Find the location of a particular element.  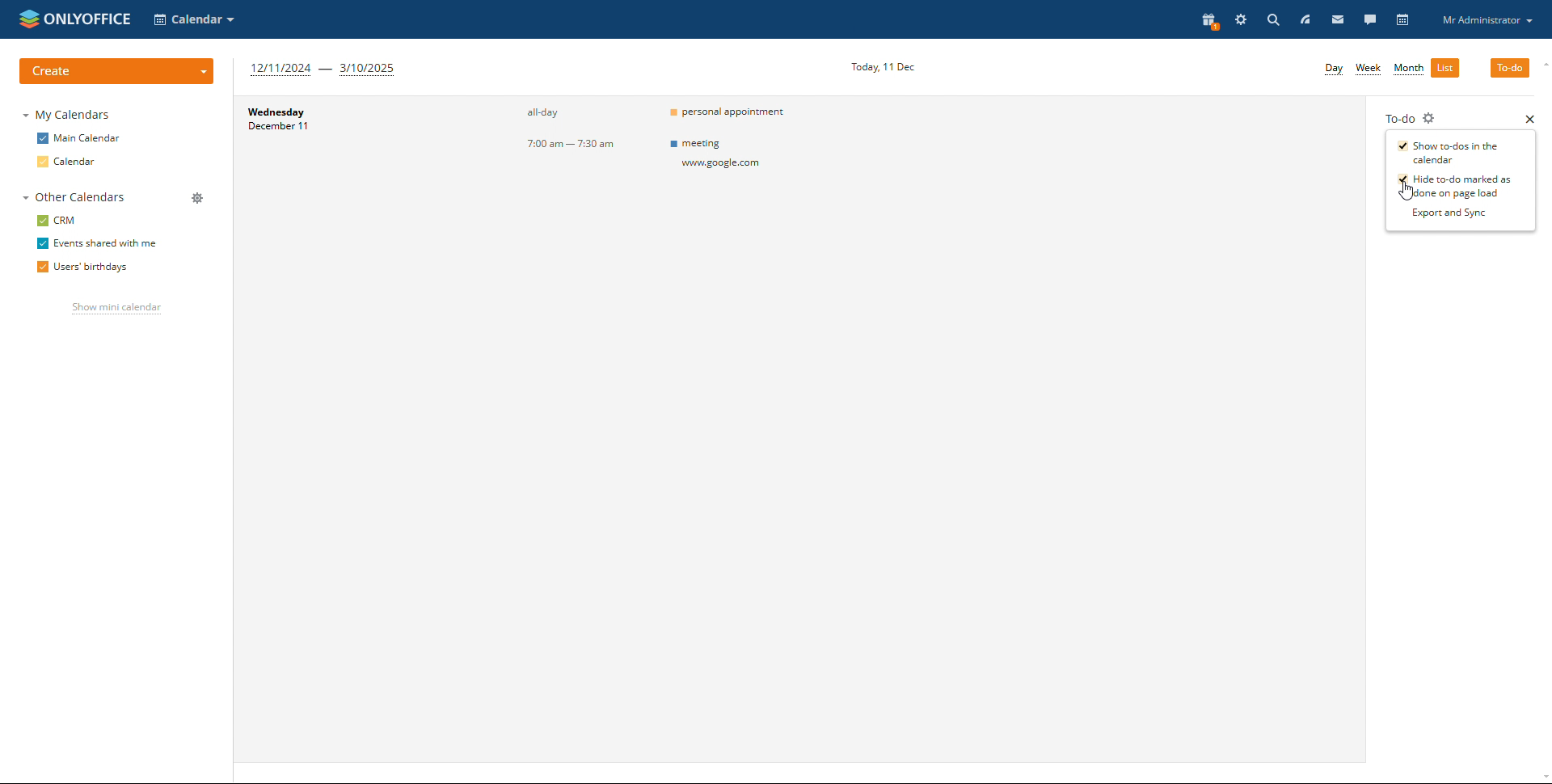

talk is located at coordinates (1369, 20).